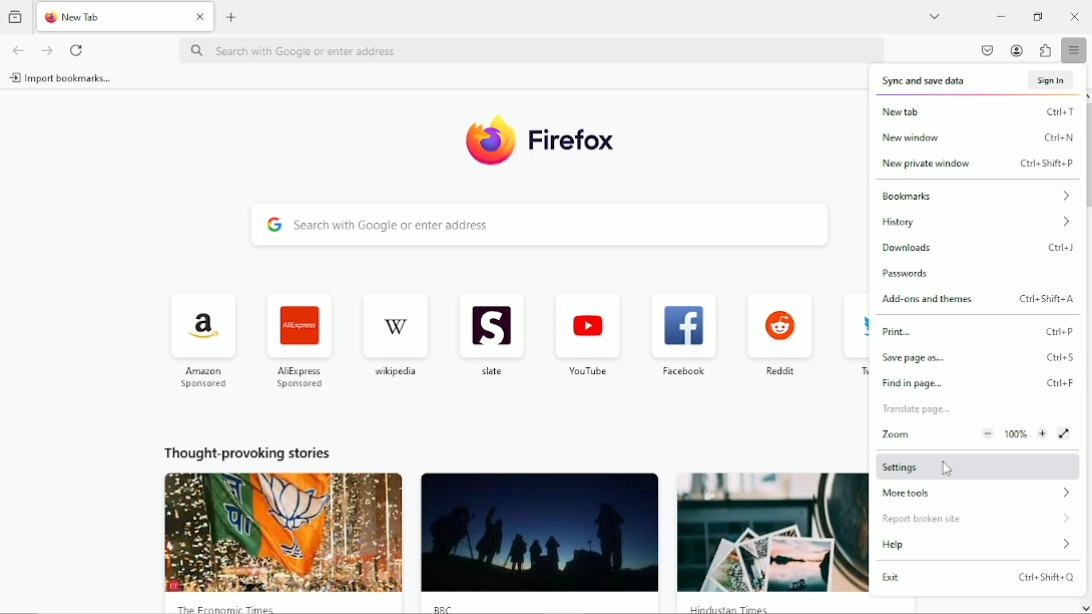  I want to click on AliExpress, so click(301, 377).